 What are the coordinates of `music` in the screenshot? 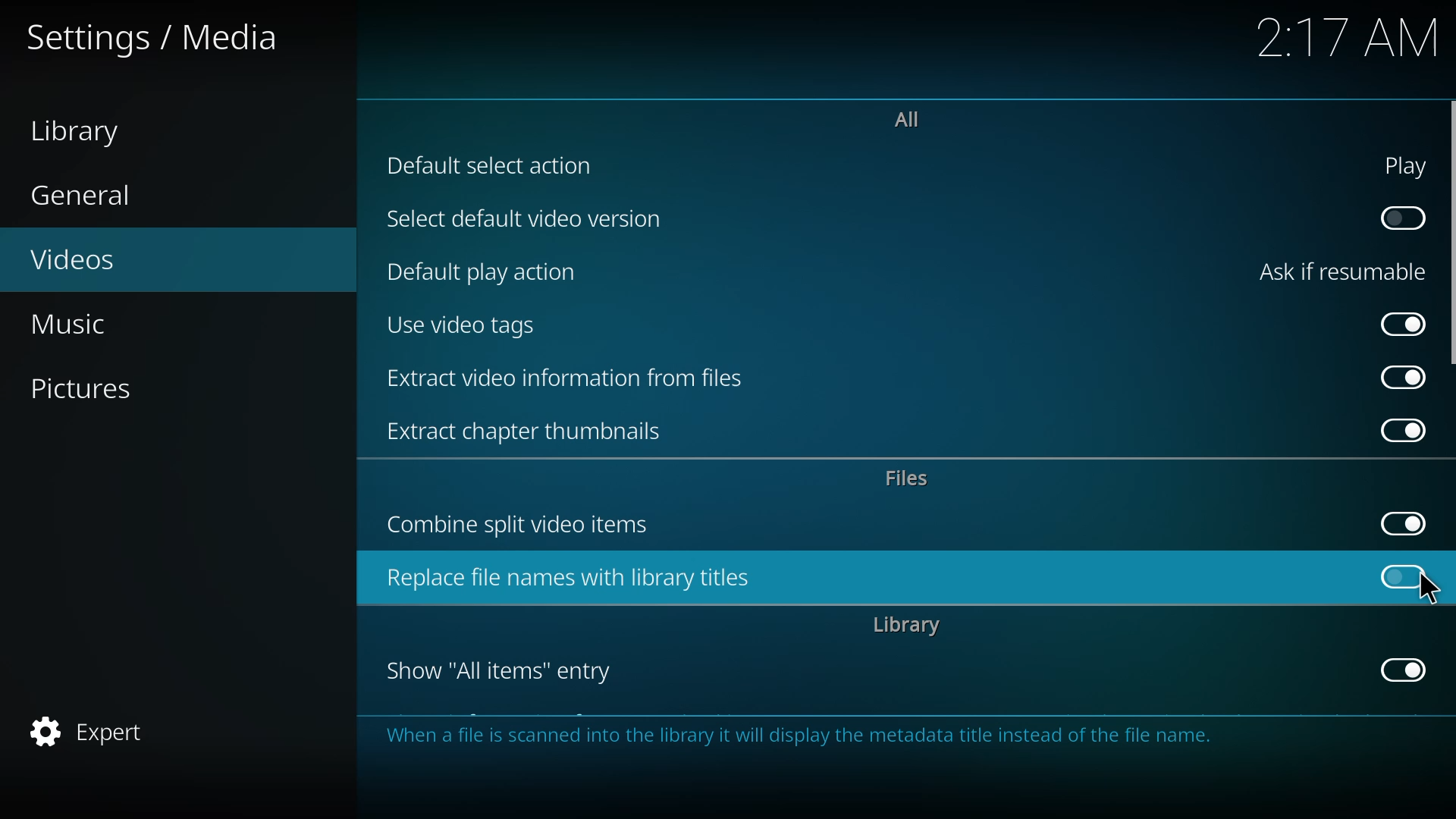 It's located at (80, 325).